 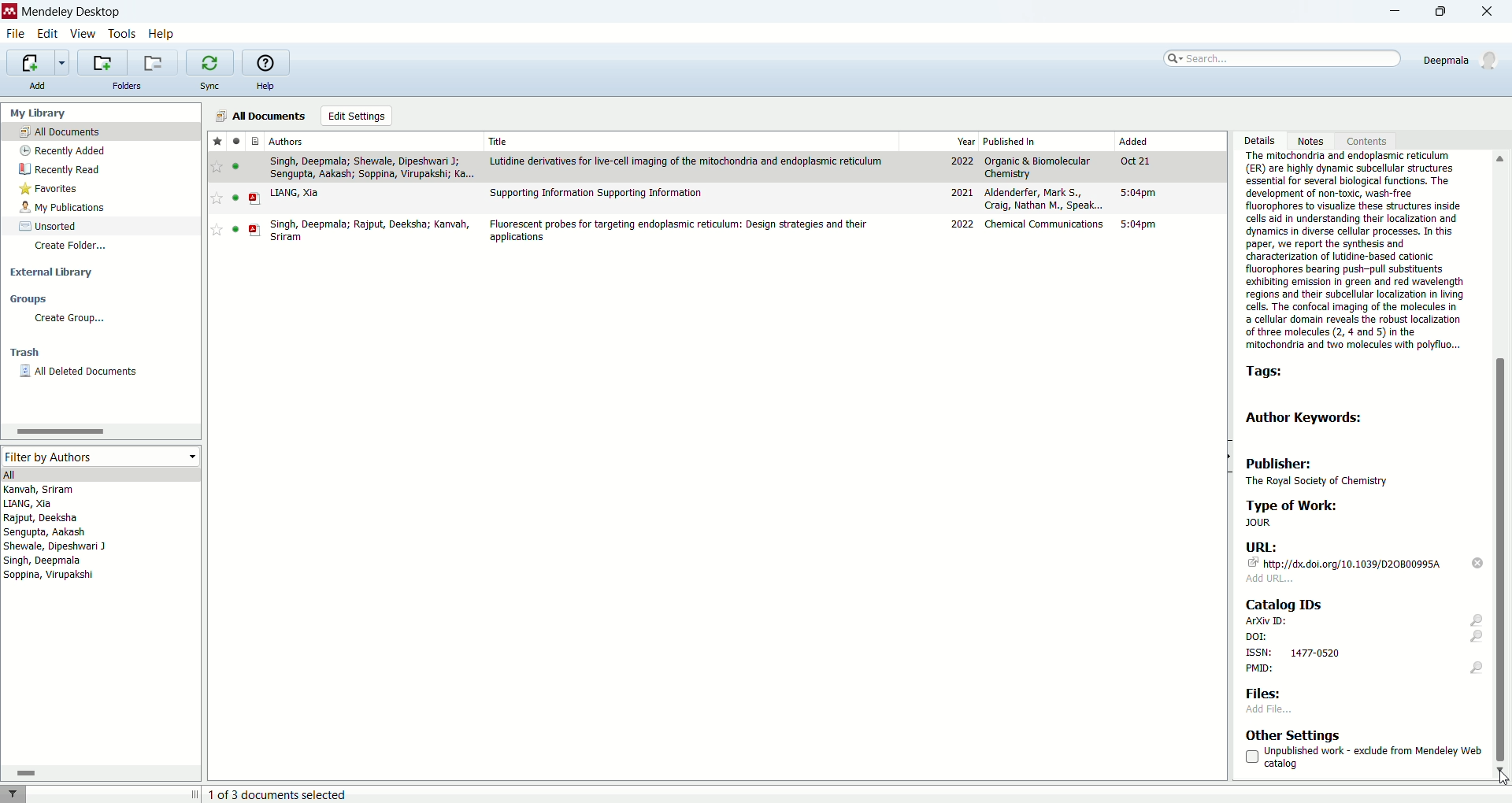 What do you see at coordinates (195, 794) in the screenshot?
I see `toggle expand/contract` at bounding box center [195, 794].